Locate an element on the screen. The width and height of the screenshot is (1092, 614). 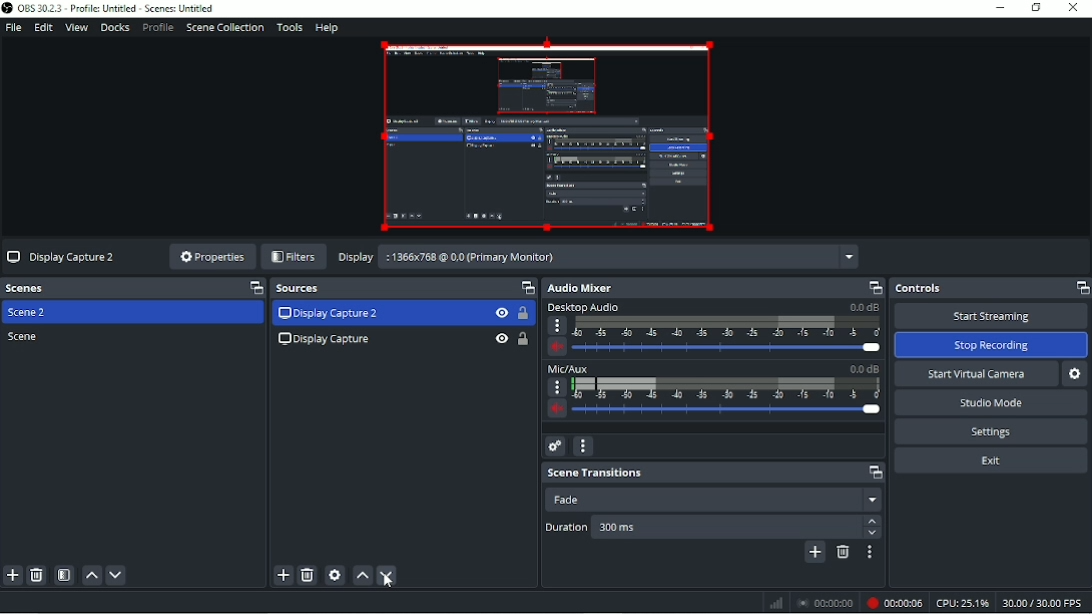
Open scene filters is located at coordinates (62, 575).